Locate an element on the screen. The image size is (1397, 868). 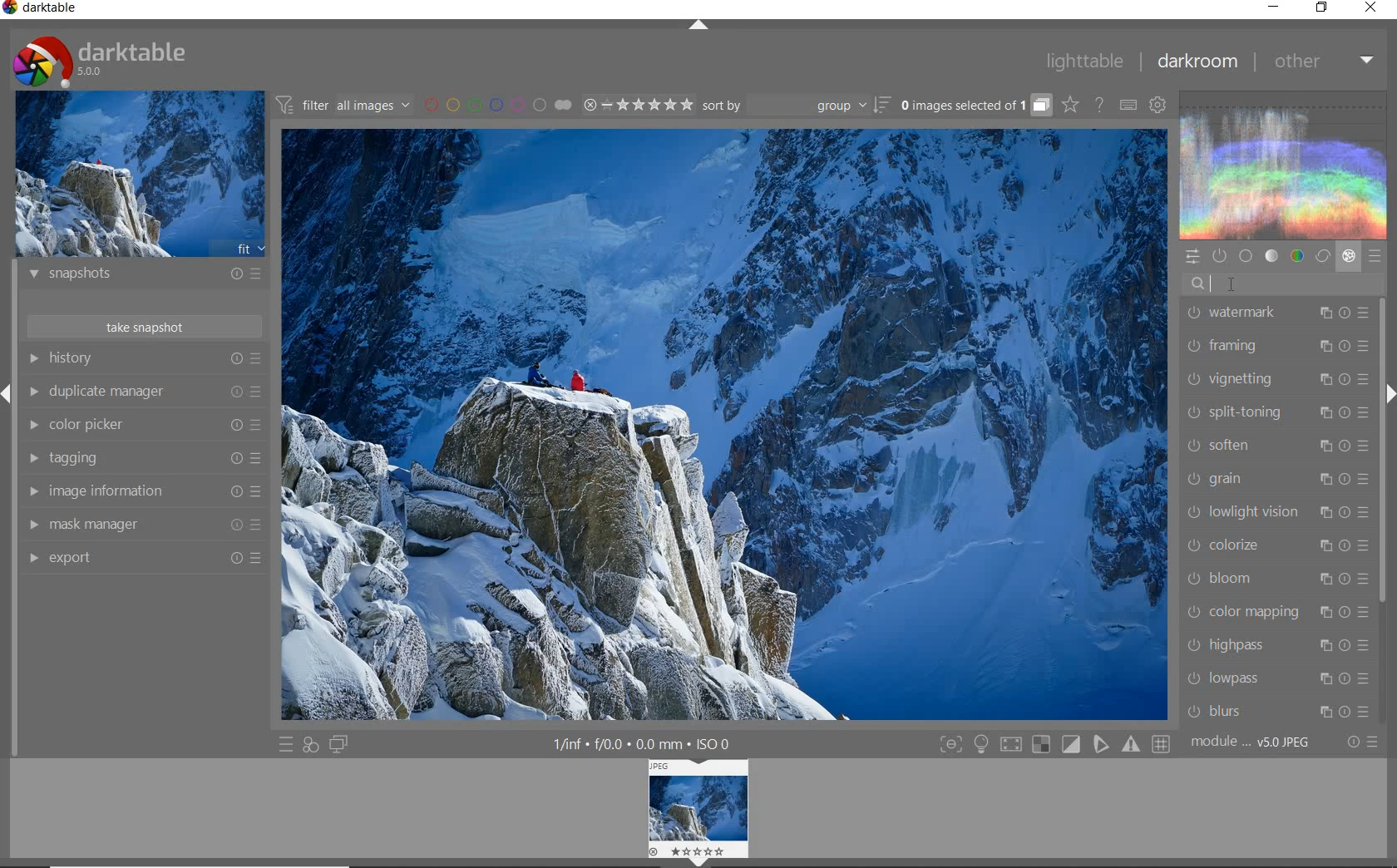
reset or presets and preferences is located at coordinates (1365, 742).